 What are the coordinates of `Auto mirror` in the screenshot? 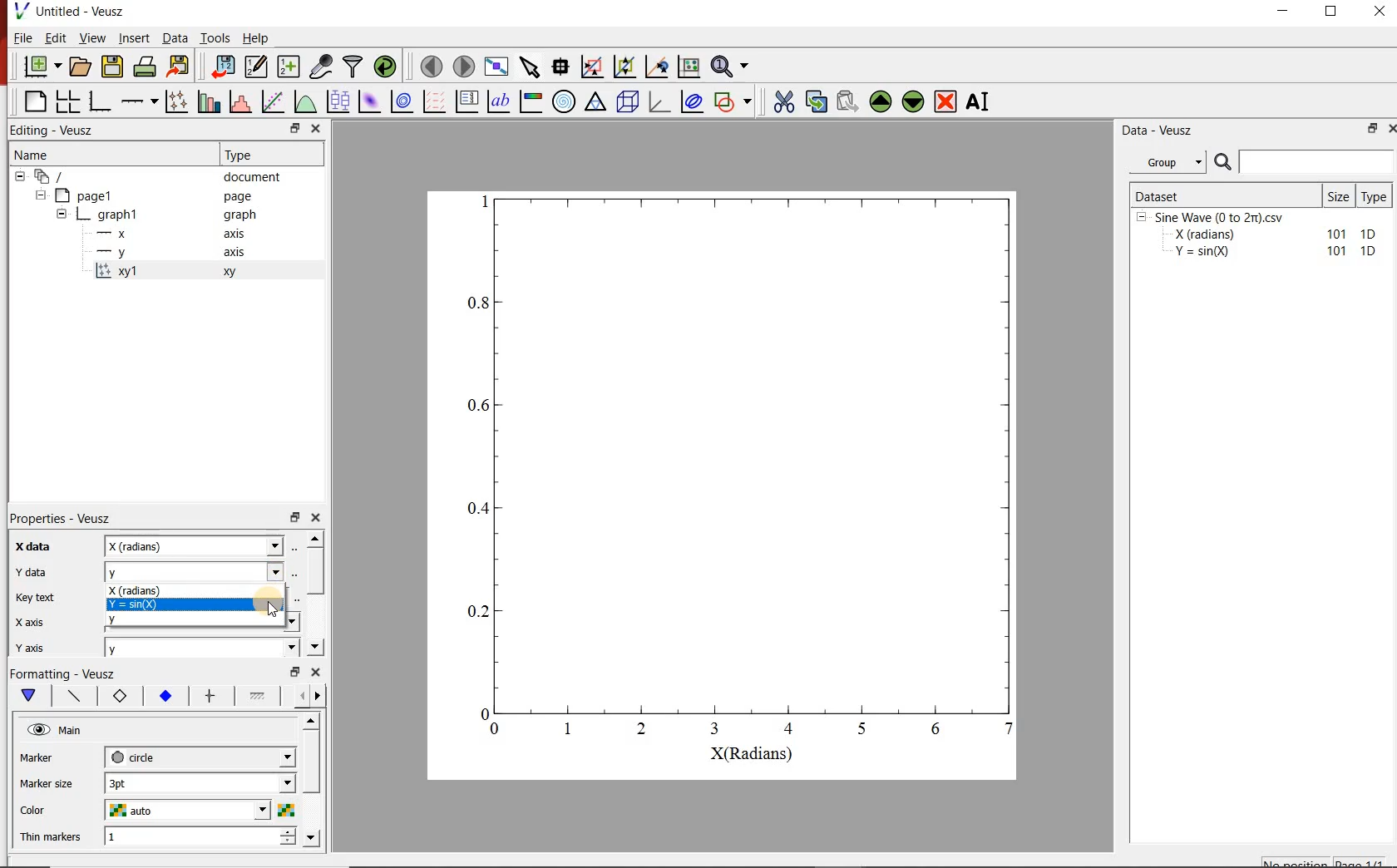 It's located at (47, 782).